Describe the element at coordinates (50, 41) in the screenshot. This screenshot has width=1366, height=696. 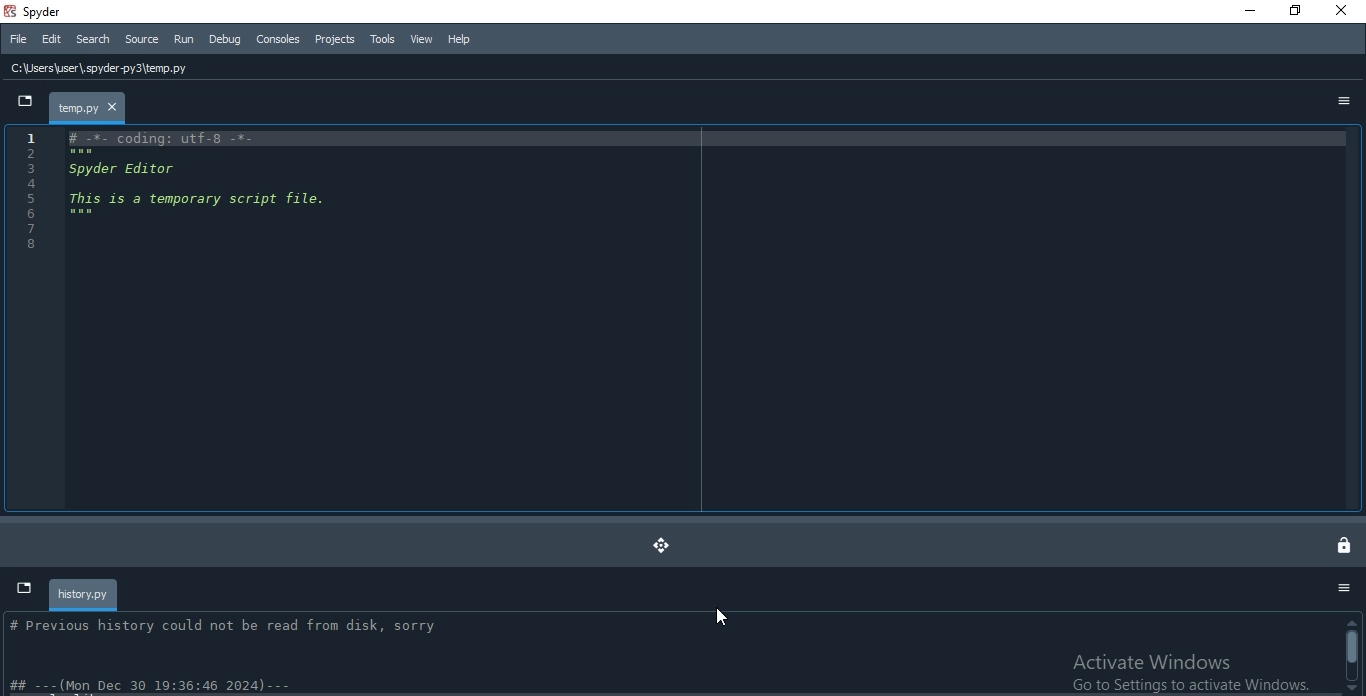
I see `Edit` at that location.